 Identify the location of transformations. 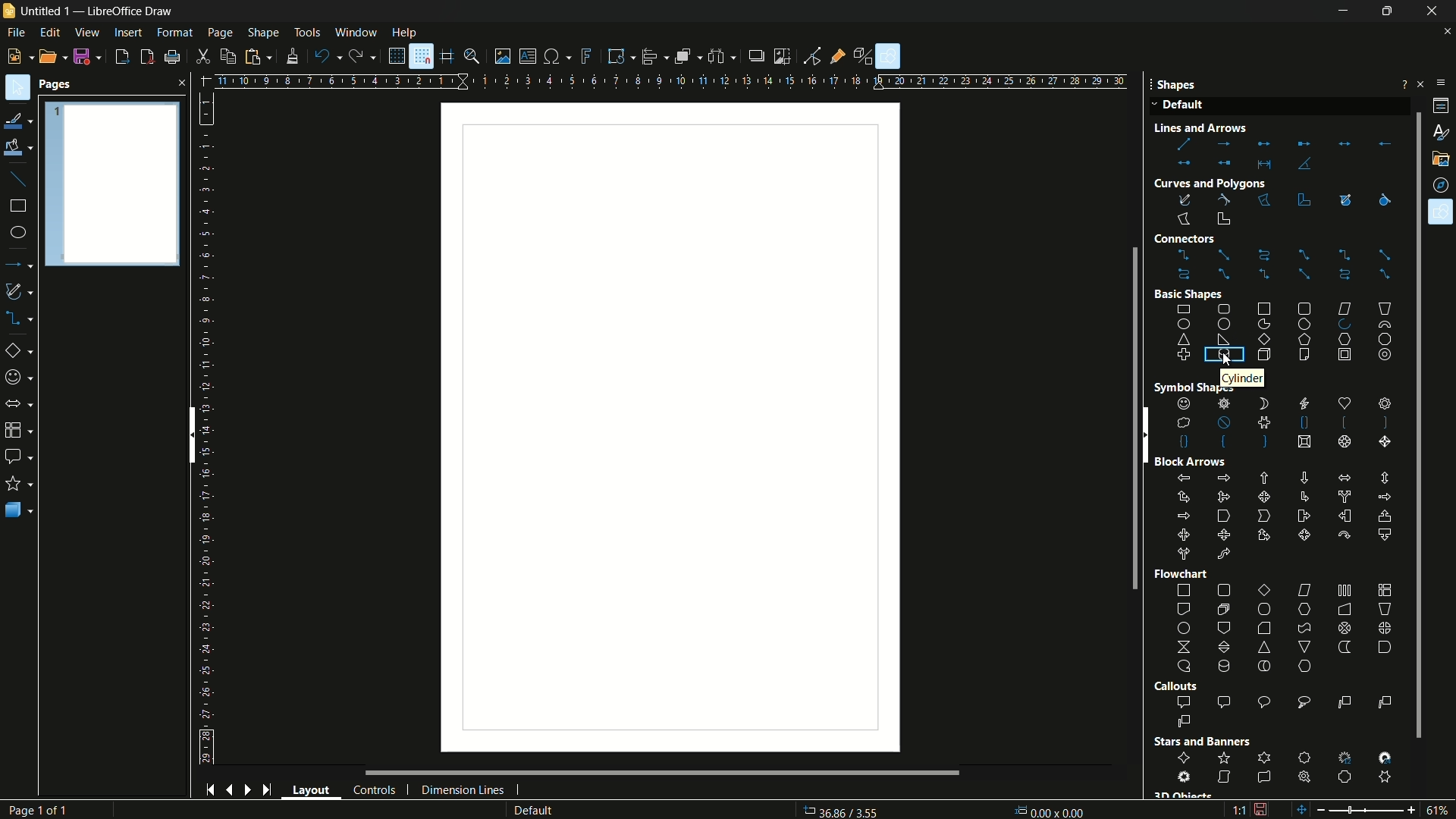
(620, 55).